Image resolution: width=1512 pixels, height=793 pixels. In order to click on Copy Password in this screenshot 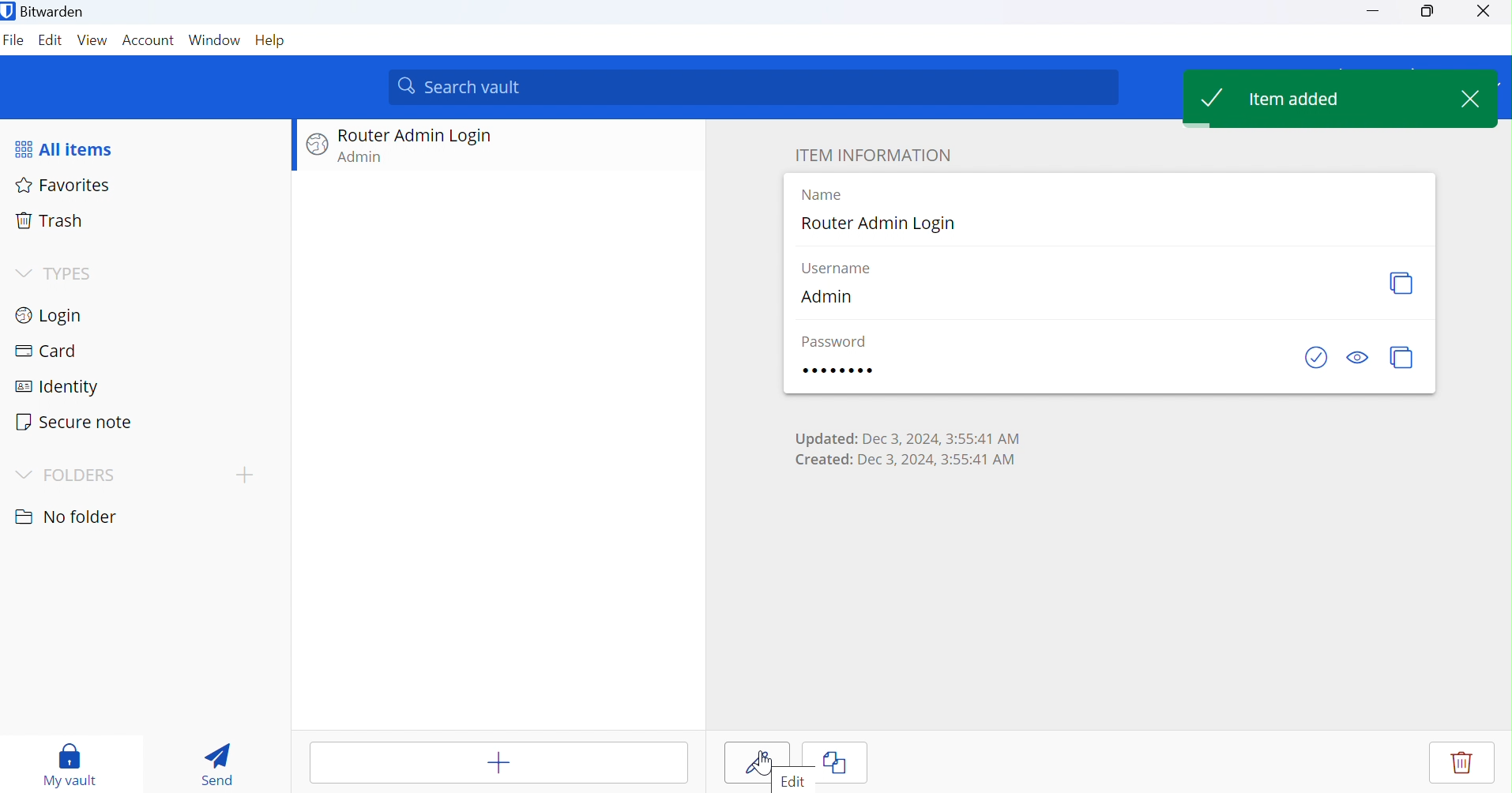, I will do `click(1402, 358)`.